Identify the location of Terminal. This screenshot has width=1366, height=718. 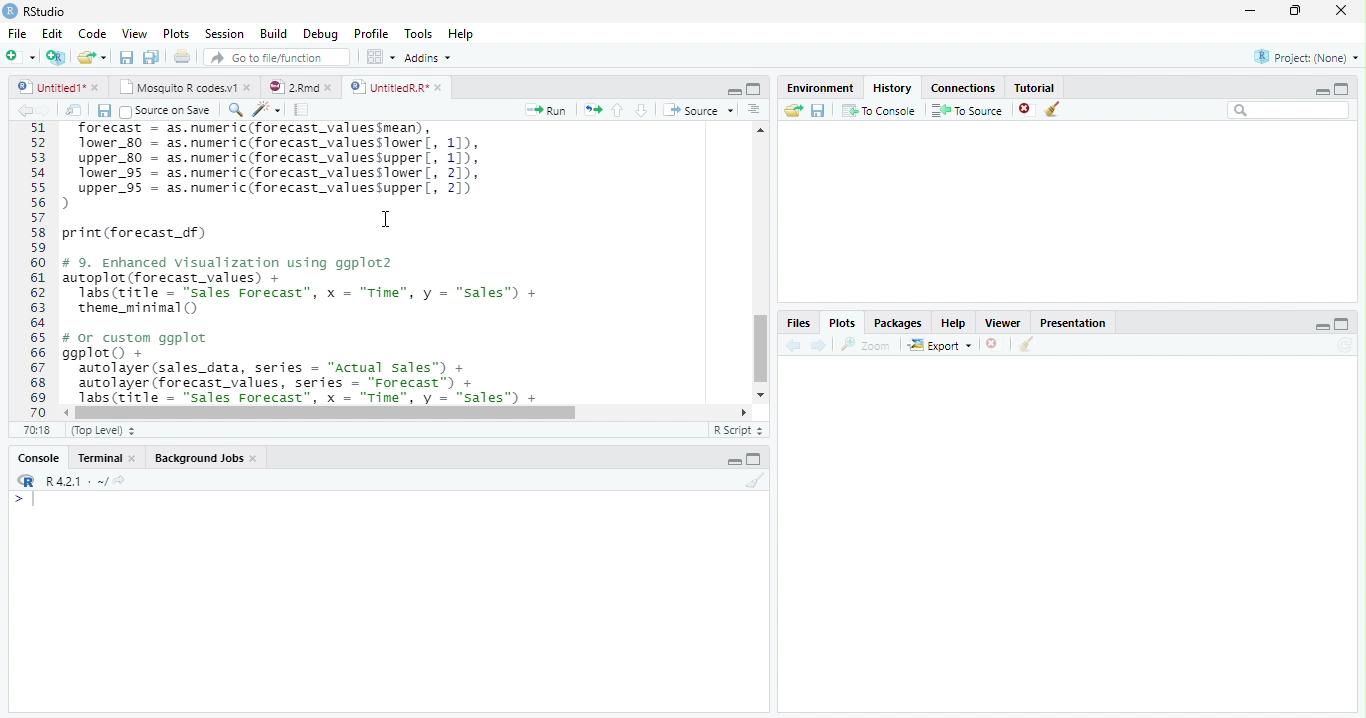
(106, 457).